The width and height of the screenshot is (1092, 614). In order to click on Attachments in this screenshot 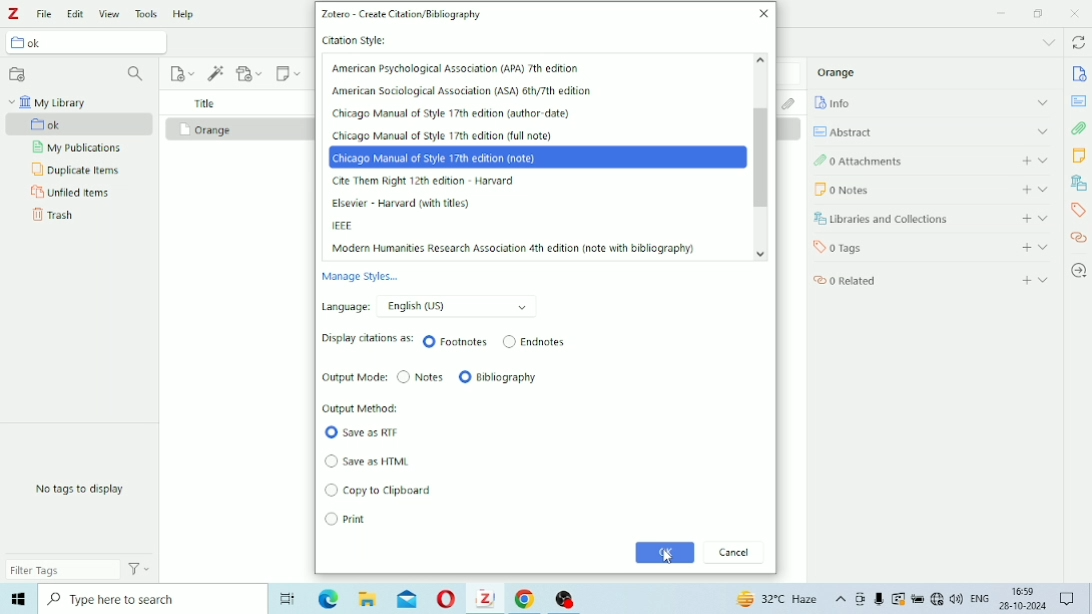, I will do `click(929, 159)`.